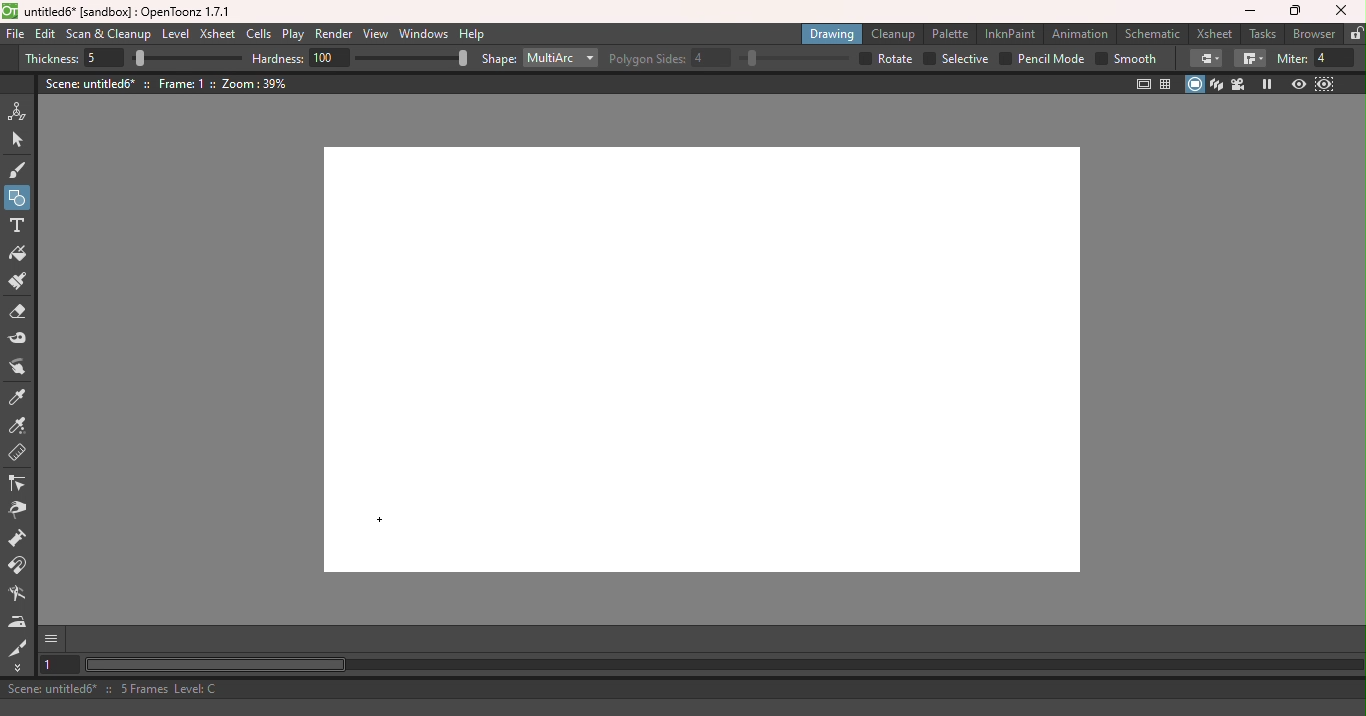 This screenshot has width=1366, height=716. Describe the element at coordinates (1152, 33) in the screenshot. I see `Schematic` at that location.